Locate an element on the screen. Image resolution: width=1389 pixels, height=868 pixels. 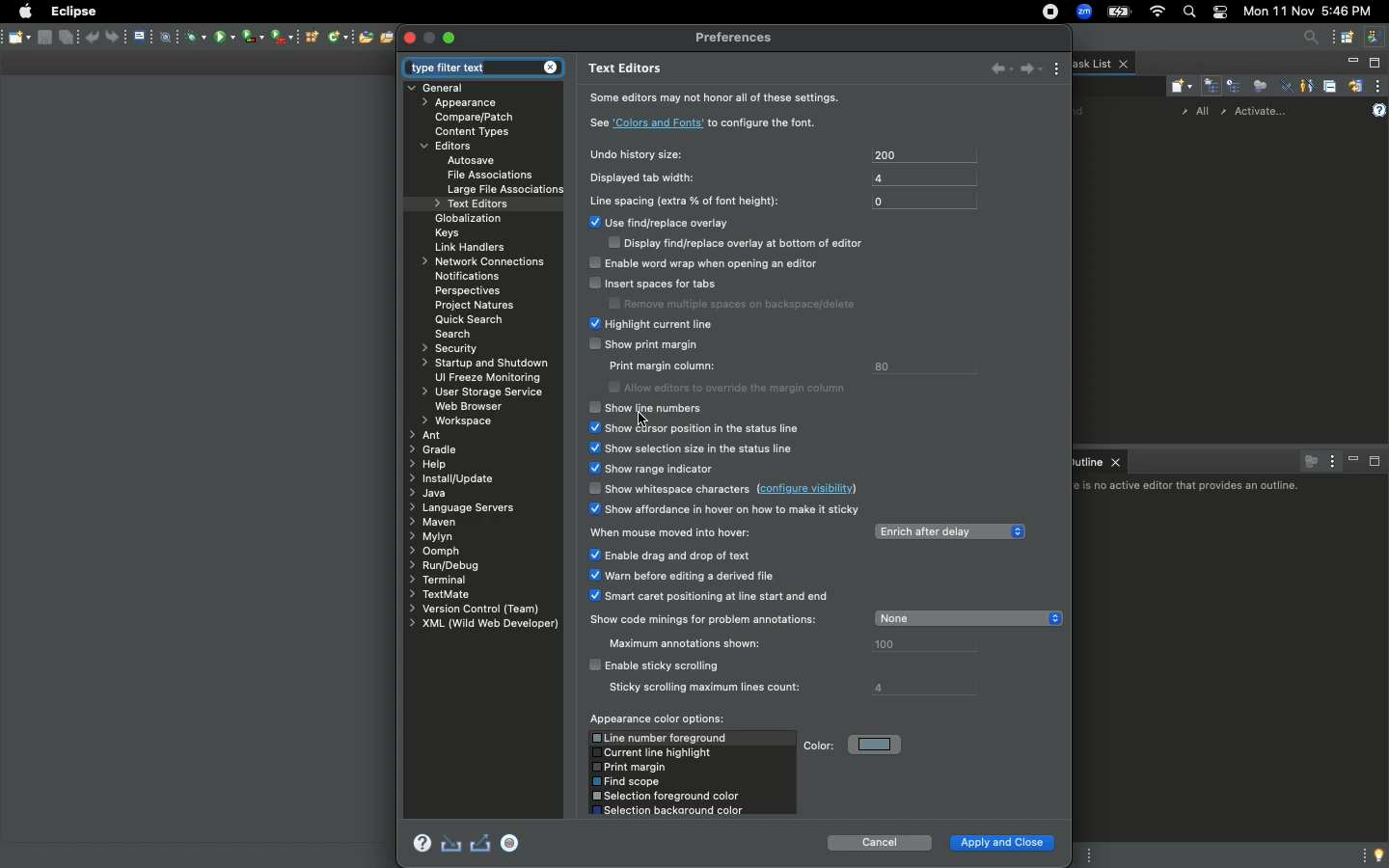
Synchronized change is located at coordinates (1355, 84).